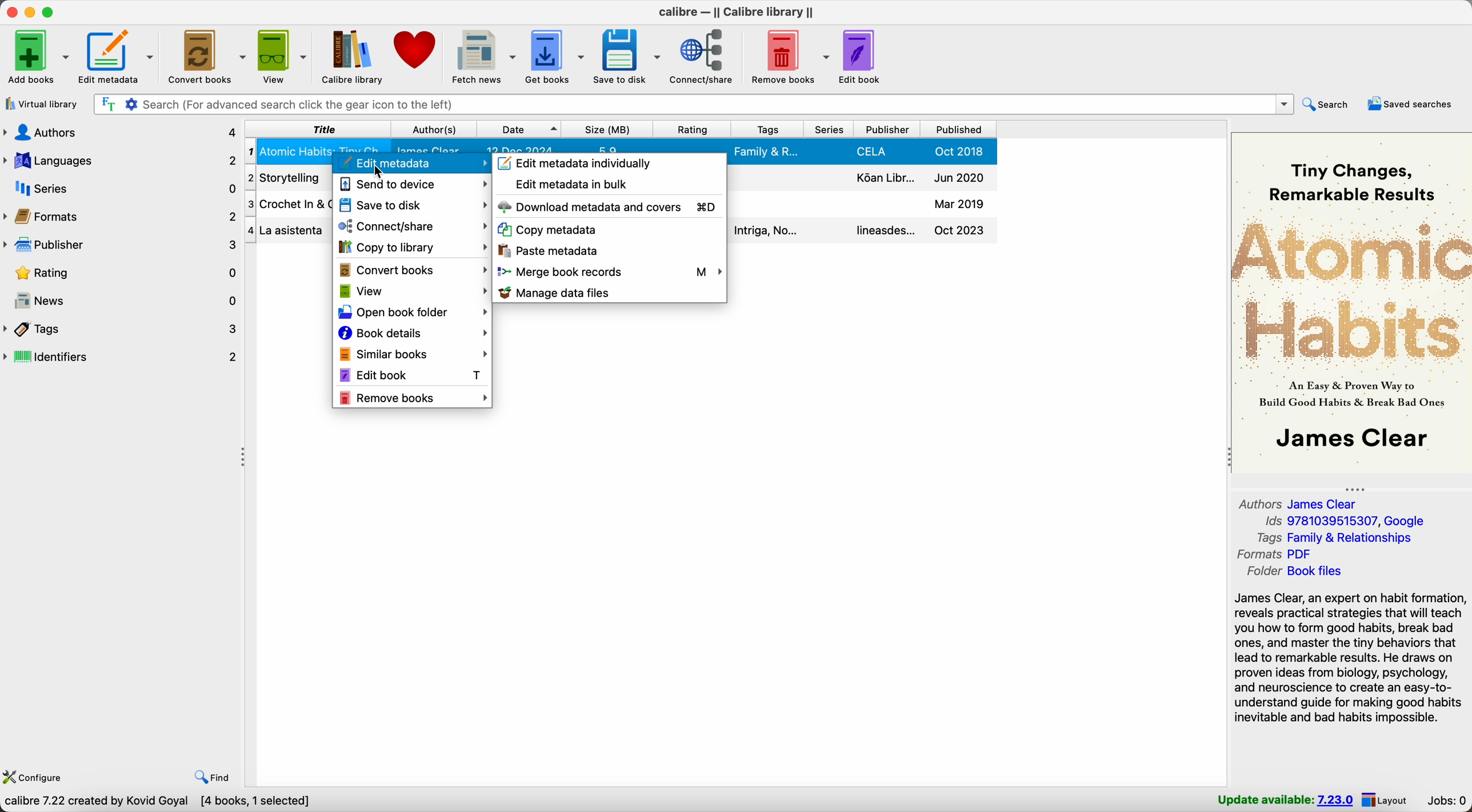 This screenshot has height=812, width=1472. I want to click on add books, so click(37, 59).